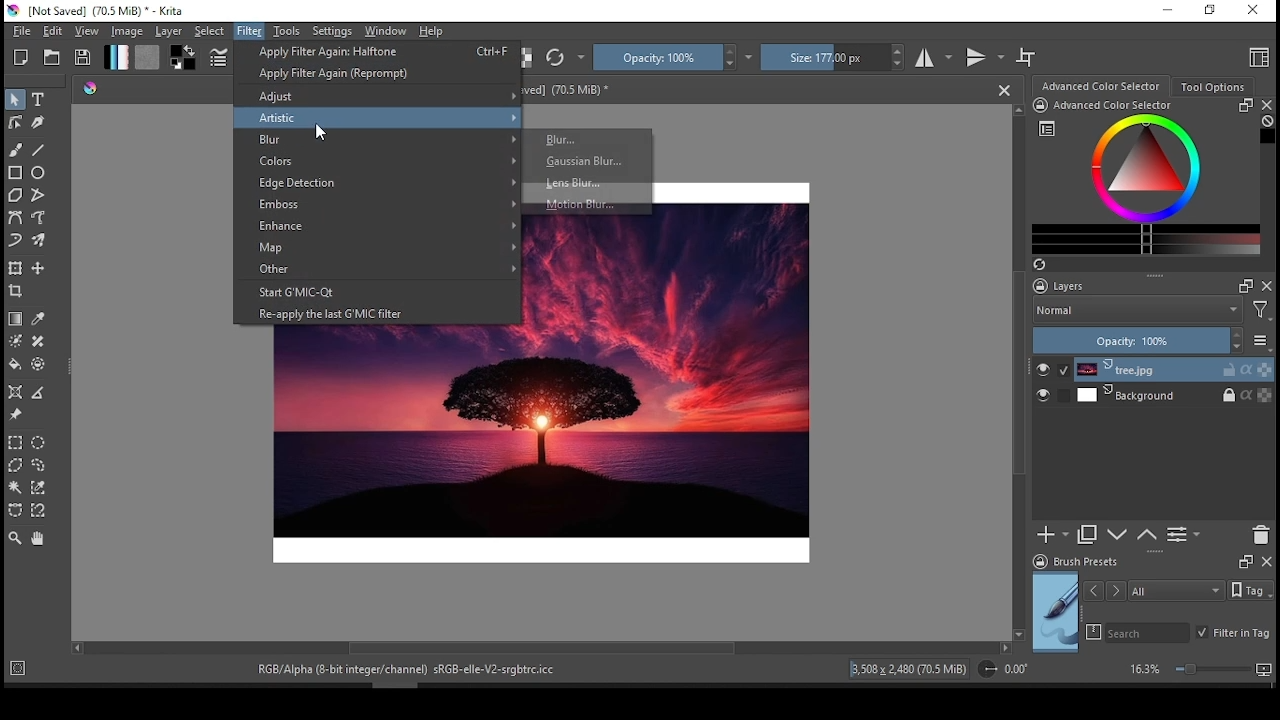 This screenshot has width=1280, height=720. What do you see at coordinates (16, 241) in the screenshot?
I see `dynamic brush tool` at bounding box center [16, 241].